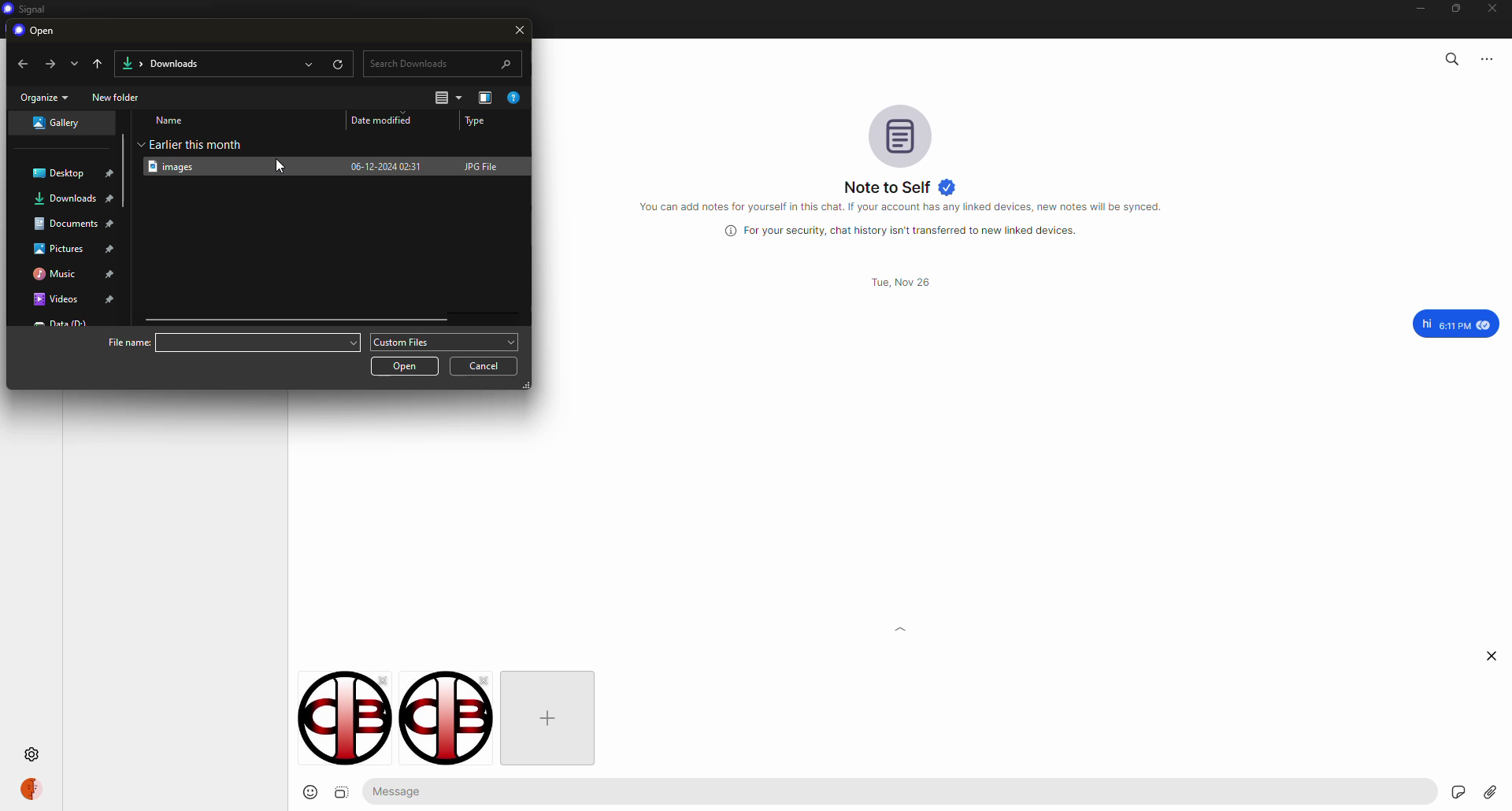 The height and width of the screenshot is (811, 1512). Describe the element at coordinates (58, 249) in the screenshot. I see `location` at that location.